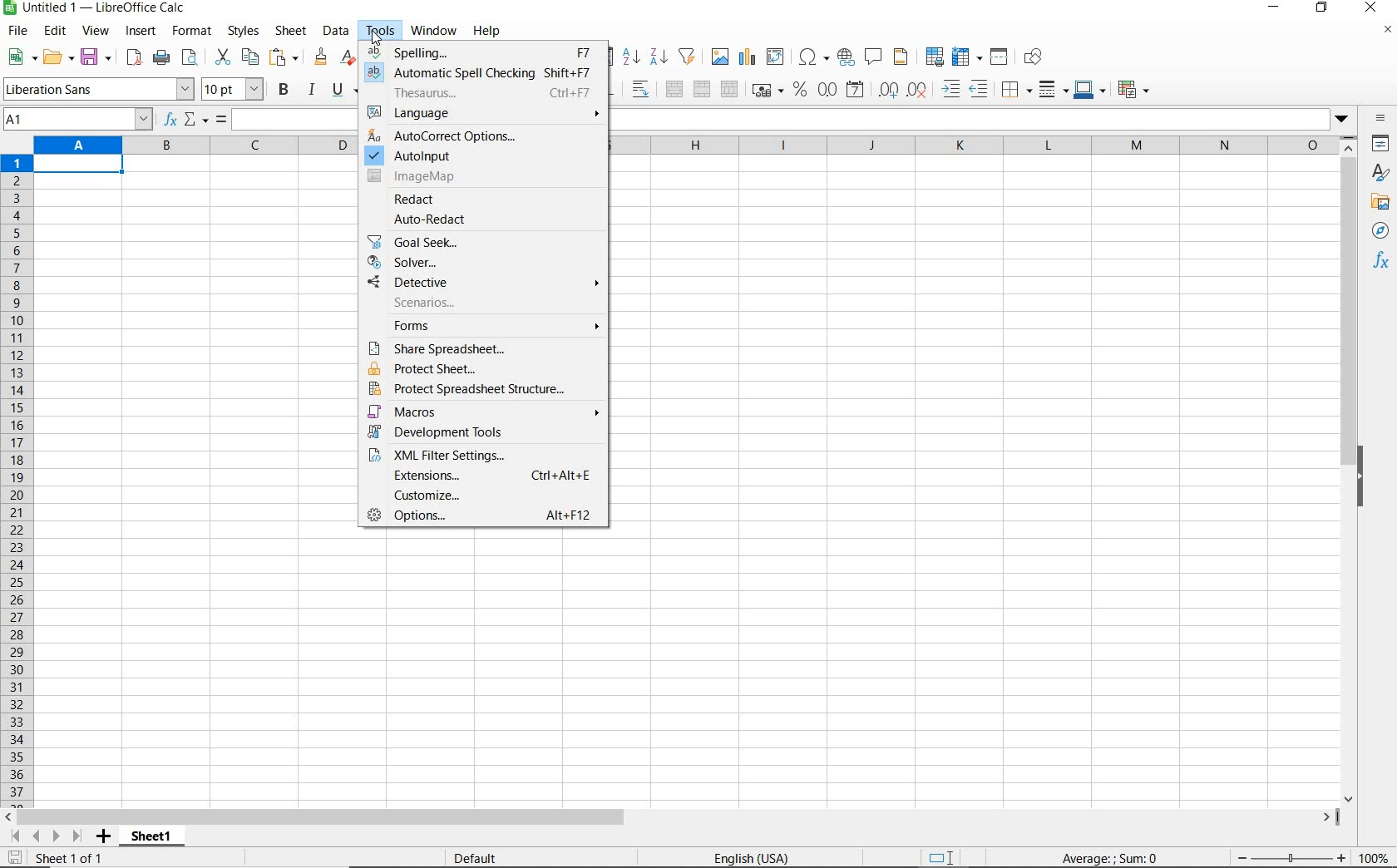 The height and width of the screenshot is (868, 1397). I want to click on sort descending, so click(658, 57).